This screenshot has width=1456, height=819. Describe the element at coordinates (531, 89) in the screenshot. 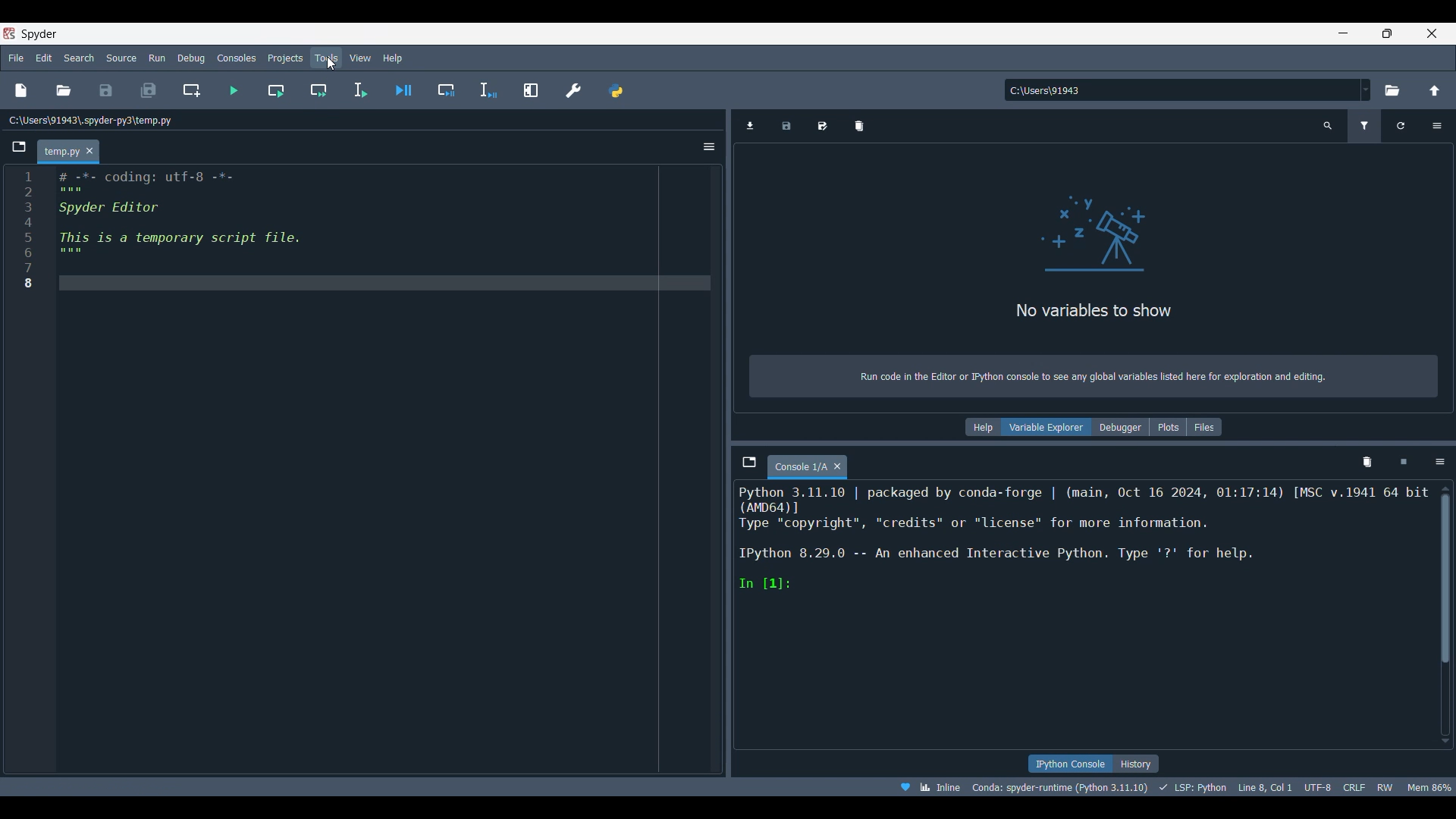

I see `Maximize current pane` at that location.